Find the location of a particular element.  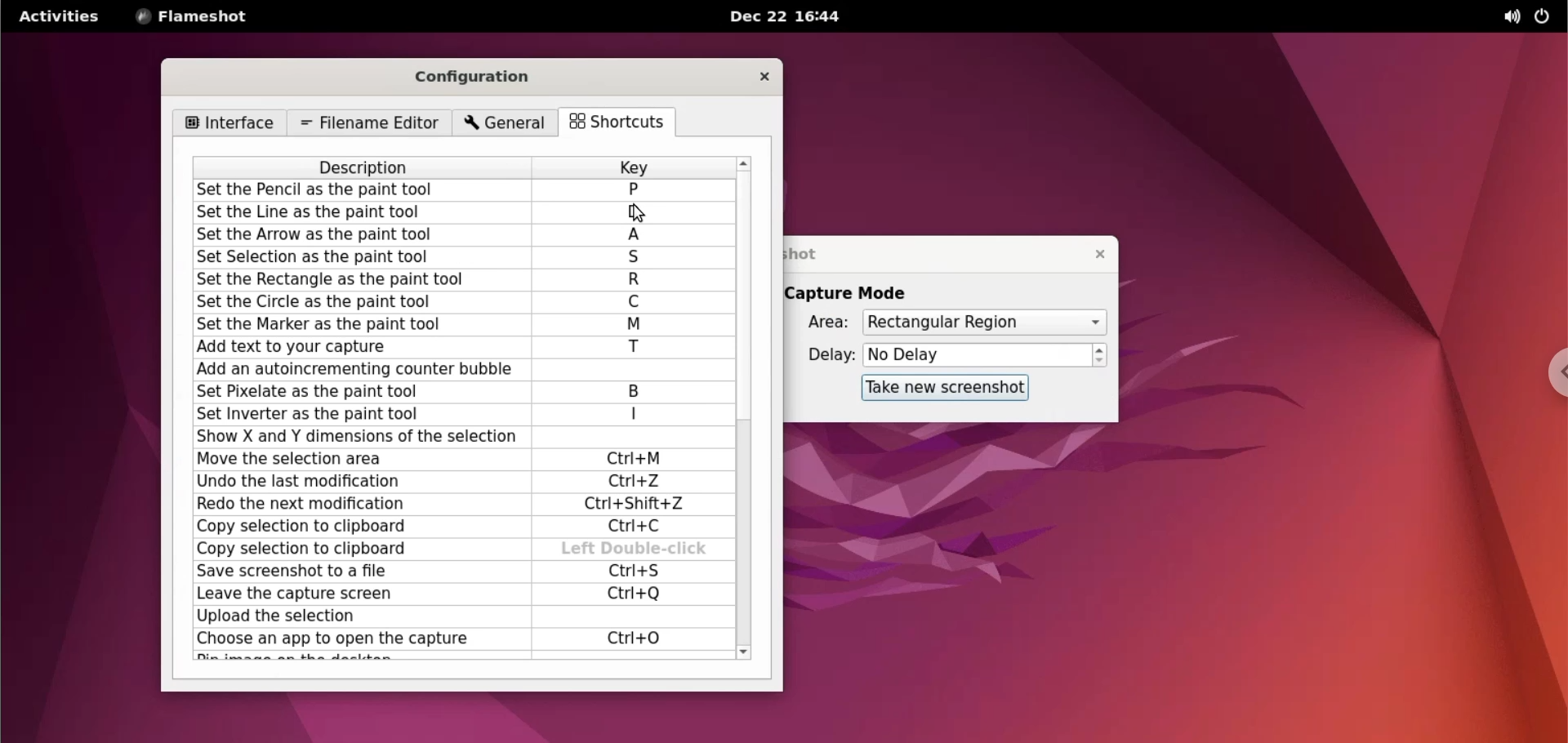

copy selection to clipboard is located at coordinates (362, 549).